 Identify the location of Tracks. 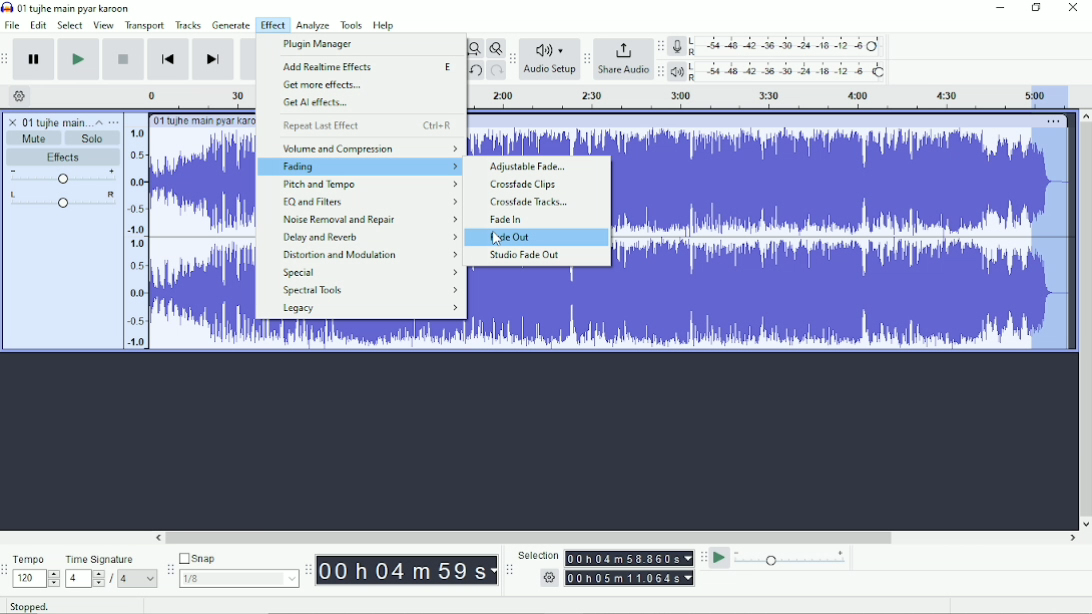
(189, 25).